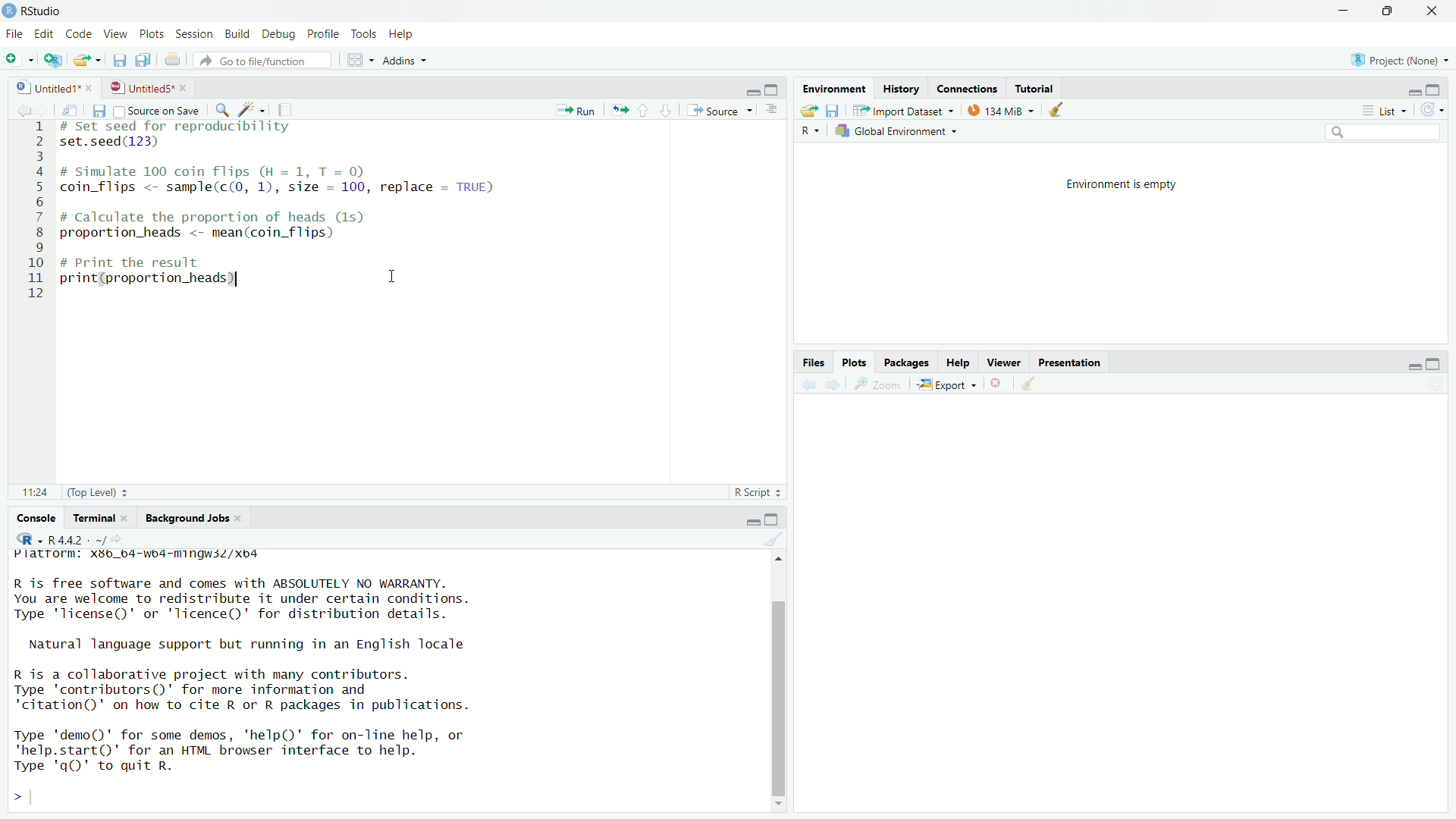 This screenshot has height=819, width=1456. What do you see at coordinates (1030, 385) in the screenshot?
I see `clear all plots` at bounding box center [1030, 385].